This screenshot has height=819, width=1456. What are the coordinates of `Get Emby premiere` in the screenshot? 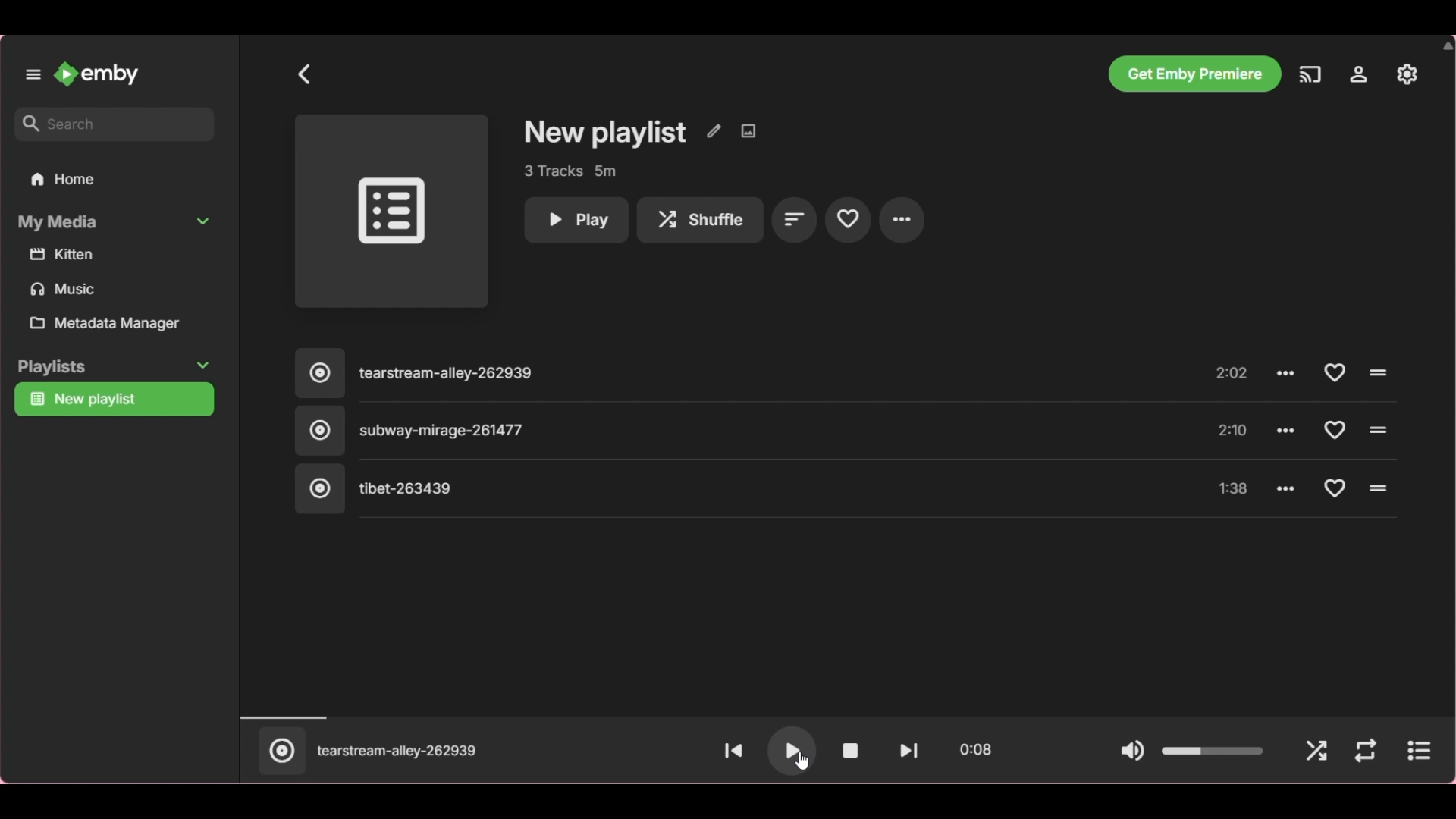 It's located at (1194, 74).